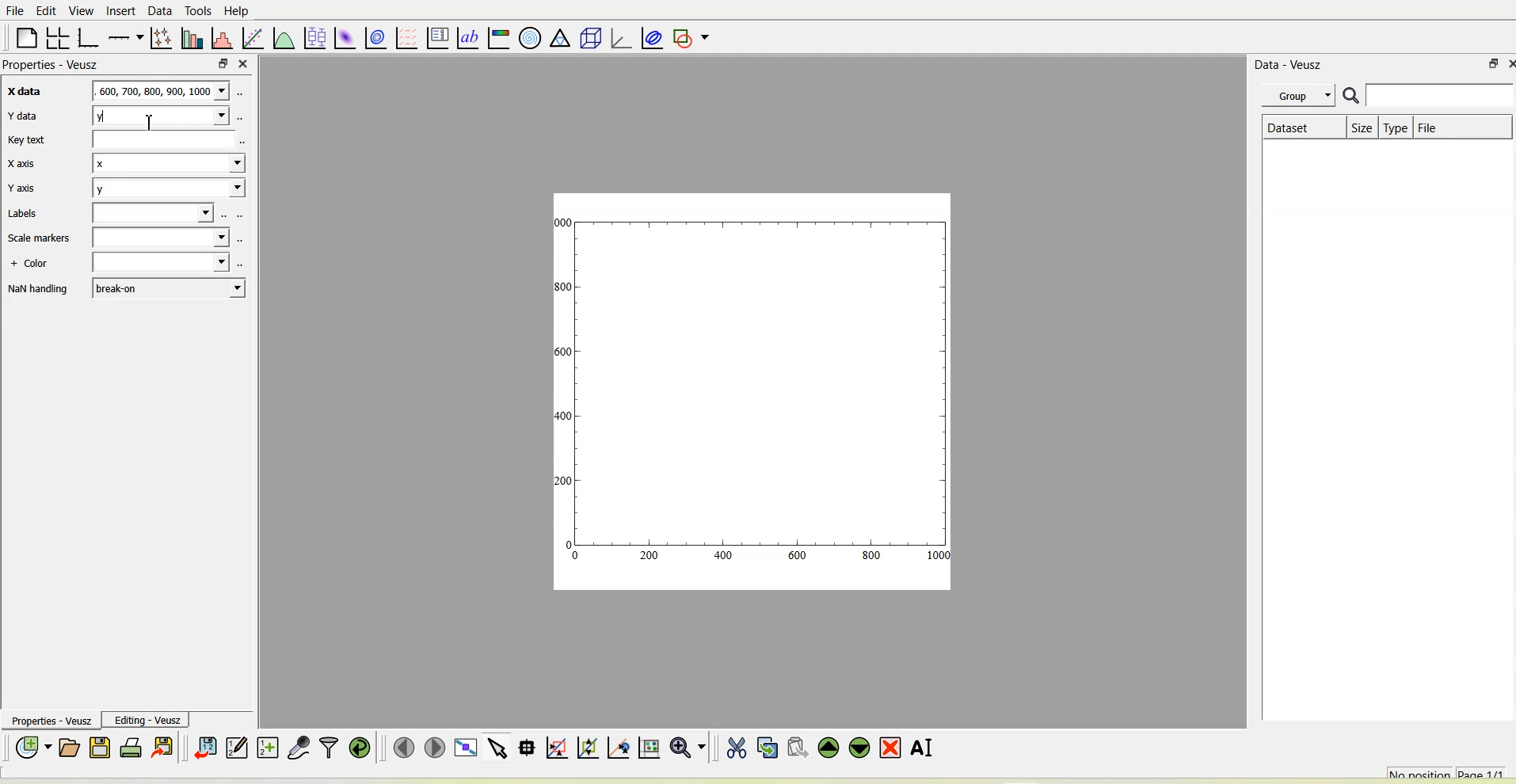 This screenshot has height=784, width=1516. I want to click on y, so click(161, 116).